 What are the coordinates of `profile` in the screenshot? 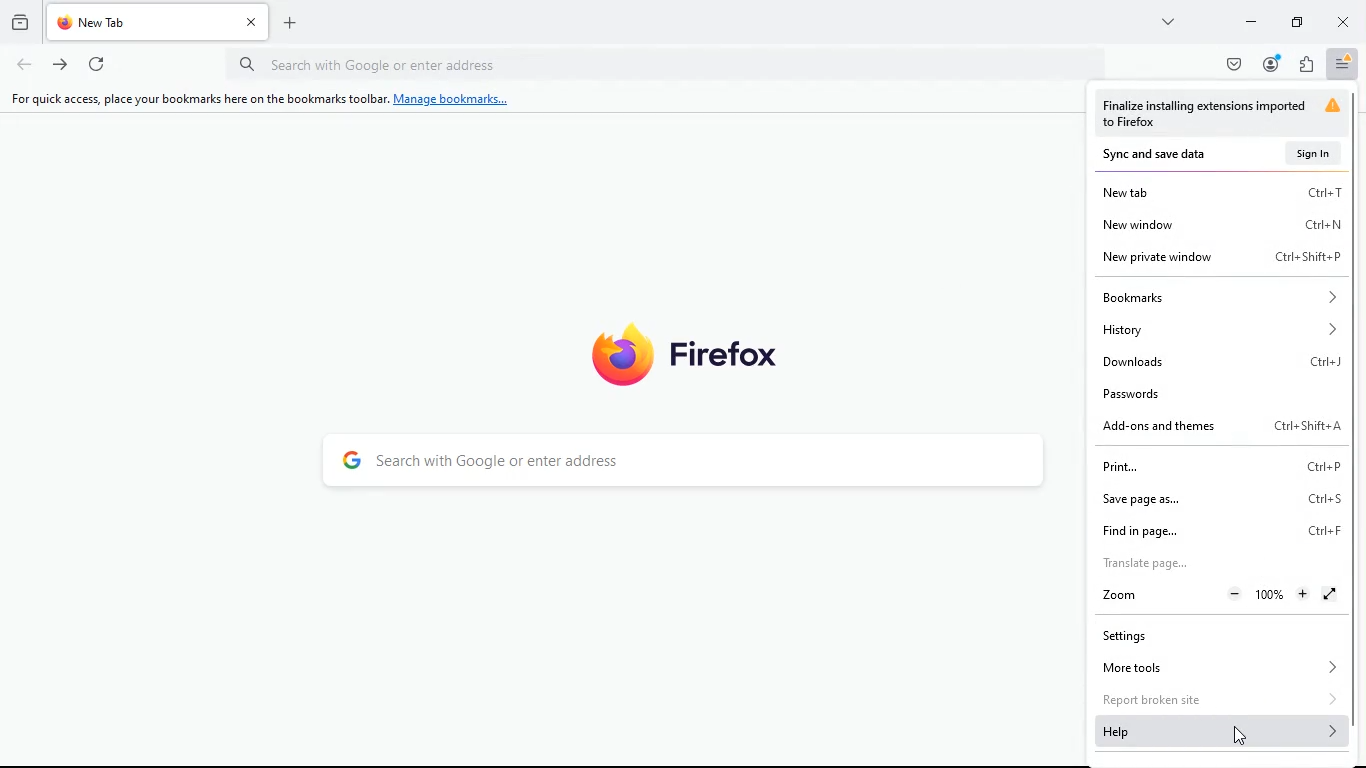 It's located at (1270, 65).